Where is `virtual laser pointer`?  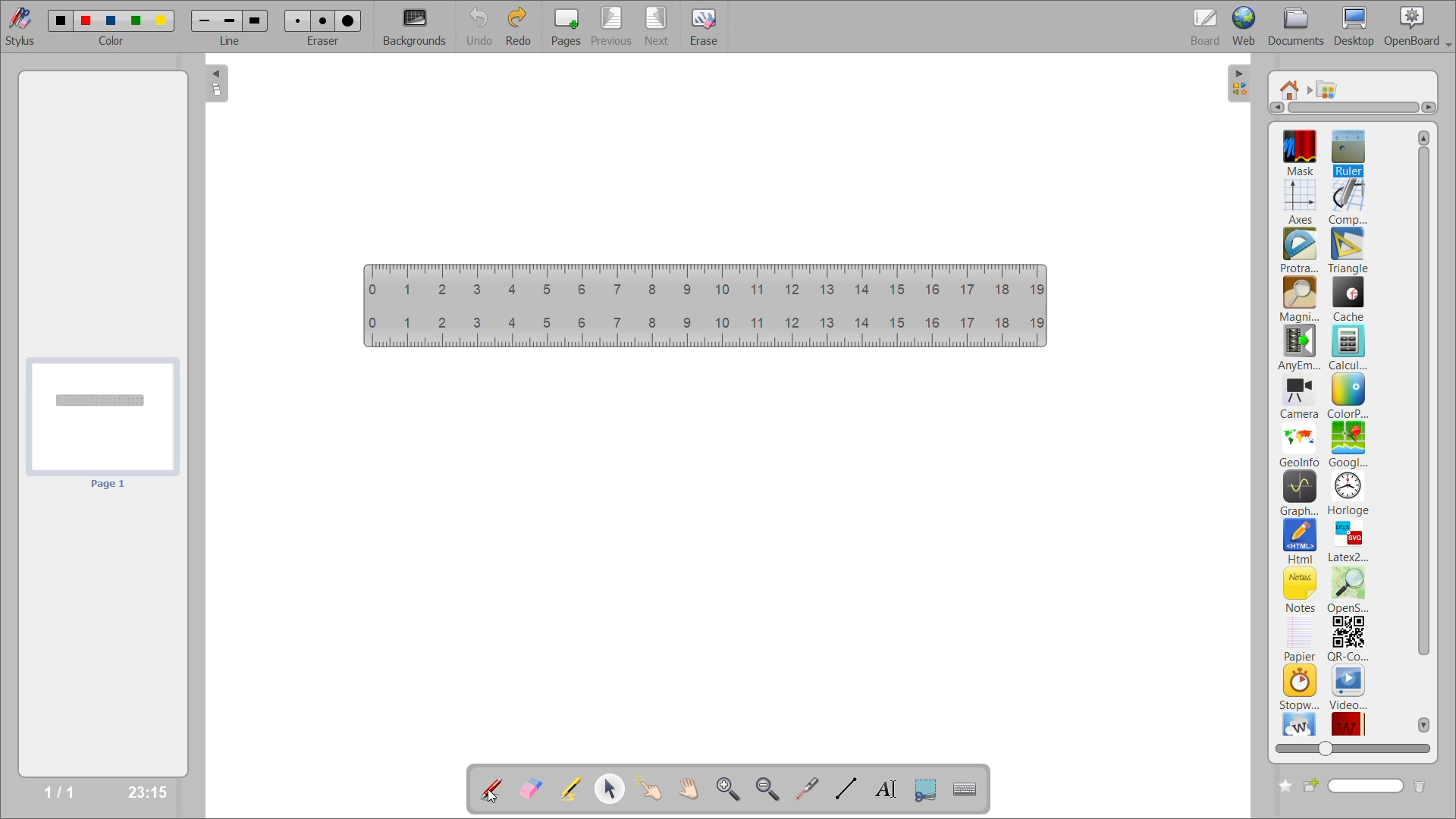 virtual laser pointer is located at coordinates (805, 788).